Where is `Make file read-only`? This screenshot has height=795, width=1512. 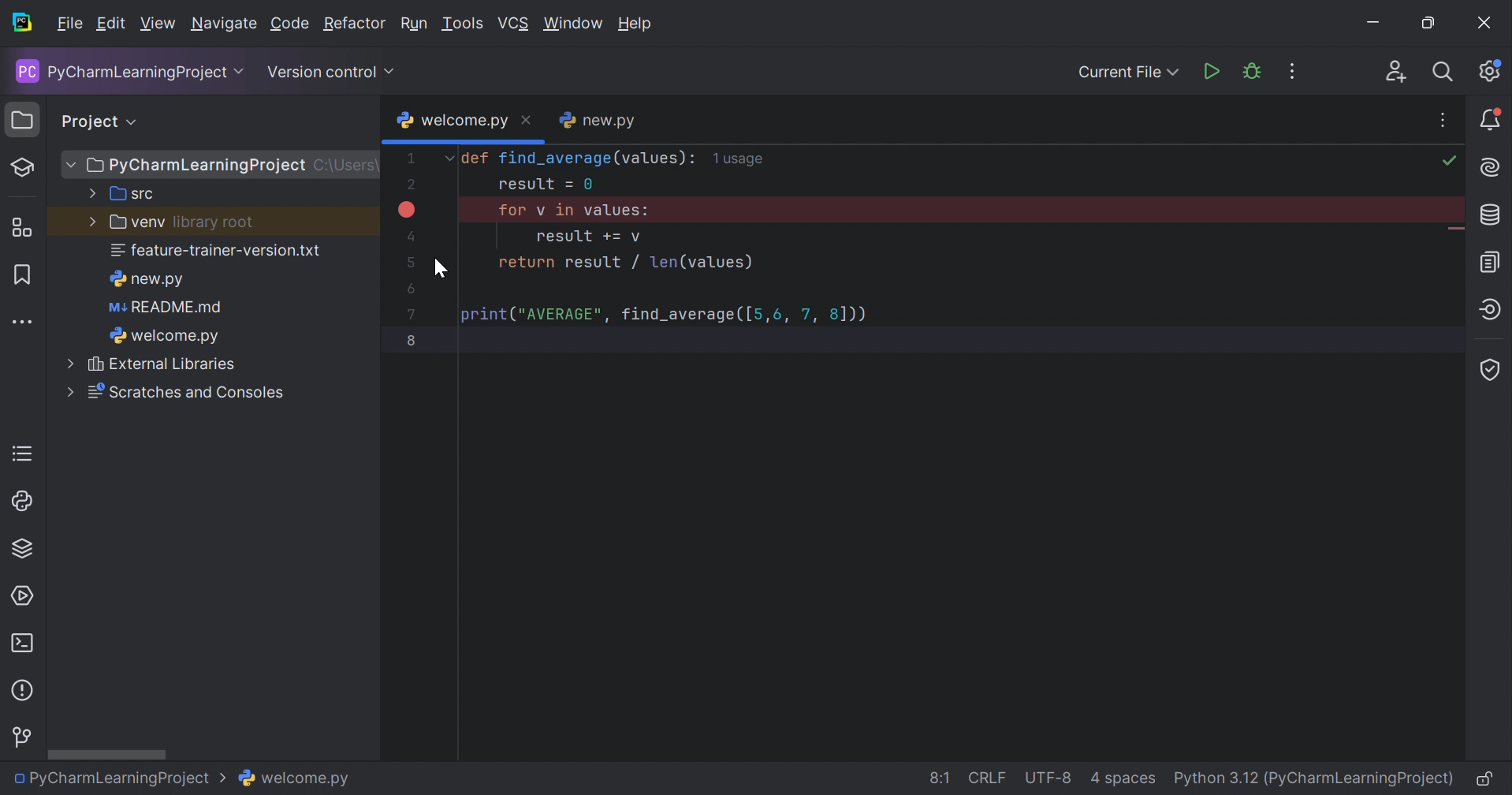 Make file read-only is located at coordinates (1481, 780).